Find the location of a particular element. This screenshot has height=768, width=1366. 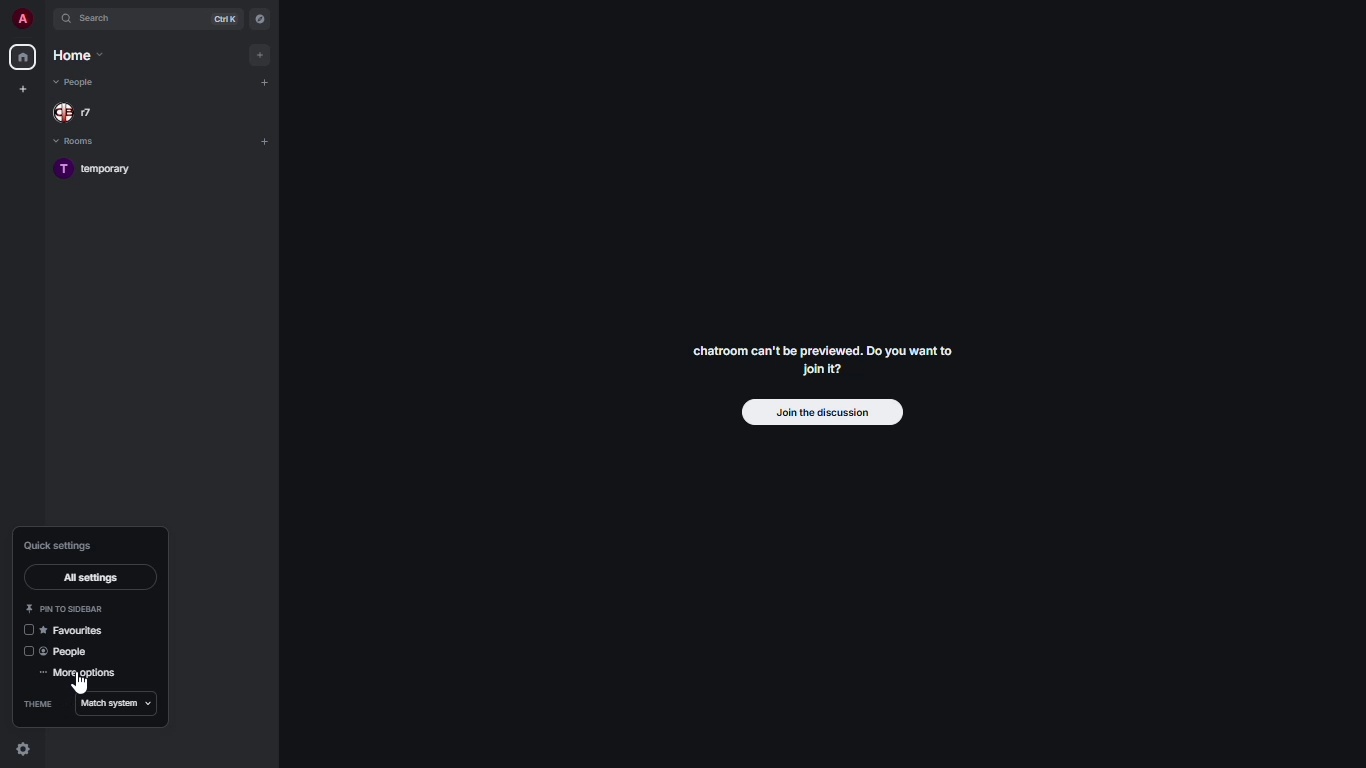

search is located at coordinates (100, 18).